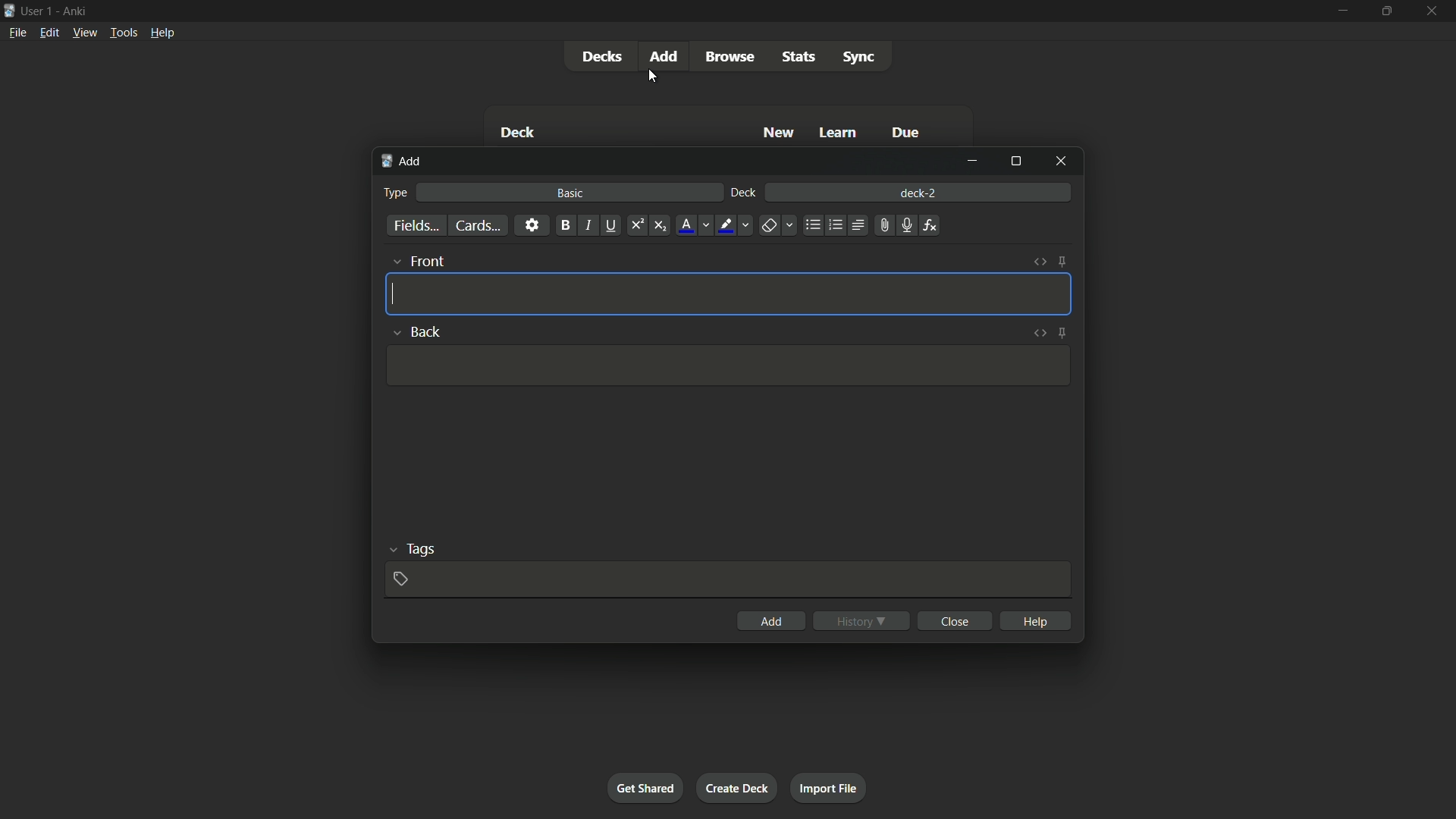 Image resolution: width=1456 pixels, height=819 pixels. Describe the element at coordinates (1345, 10) in the screenshot. I see `minimize` at that location.